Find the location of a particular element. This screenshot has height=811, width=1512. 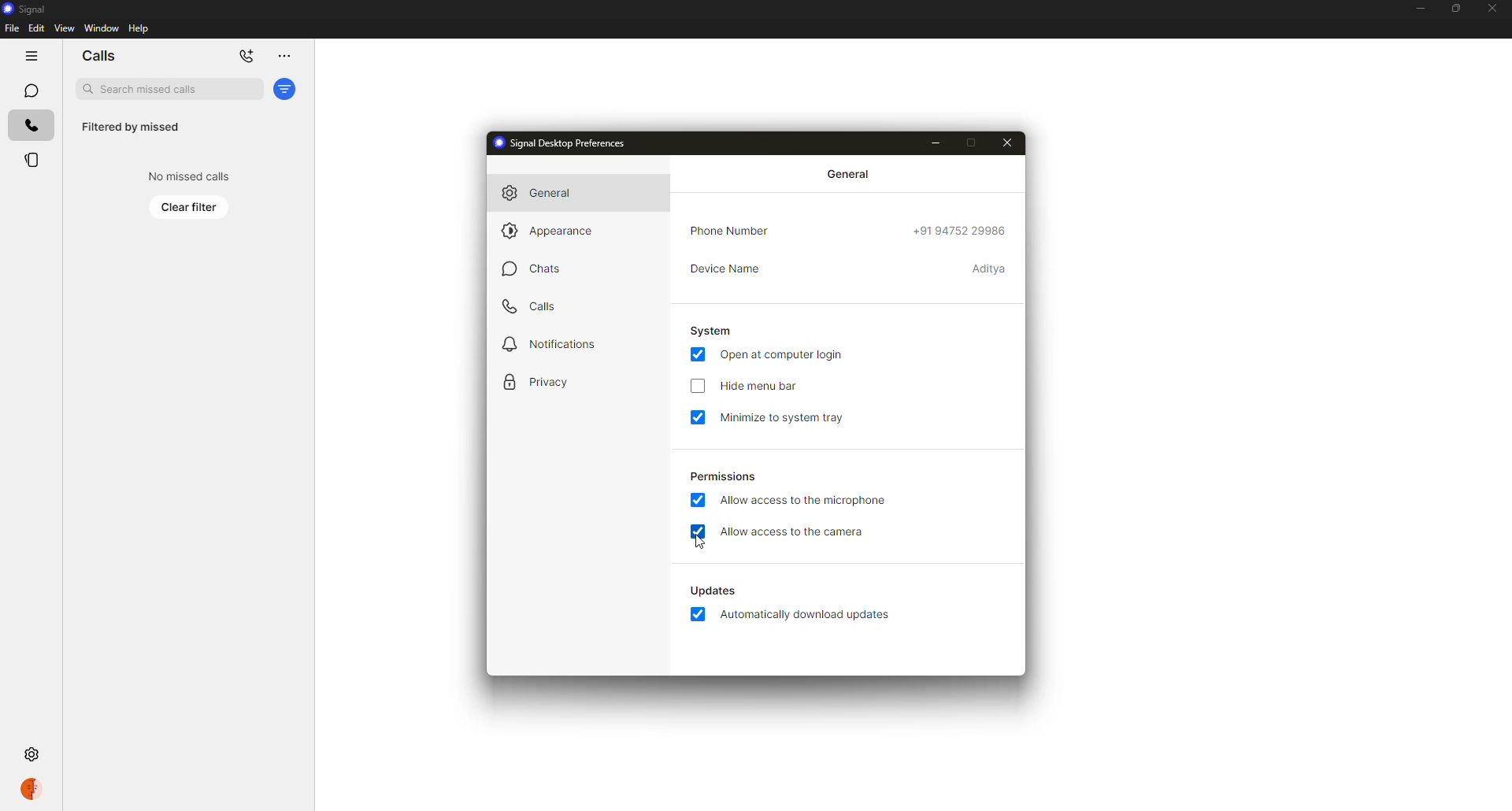

minimize to system tray is located at coordinates (784, 417).